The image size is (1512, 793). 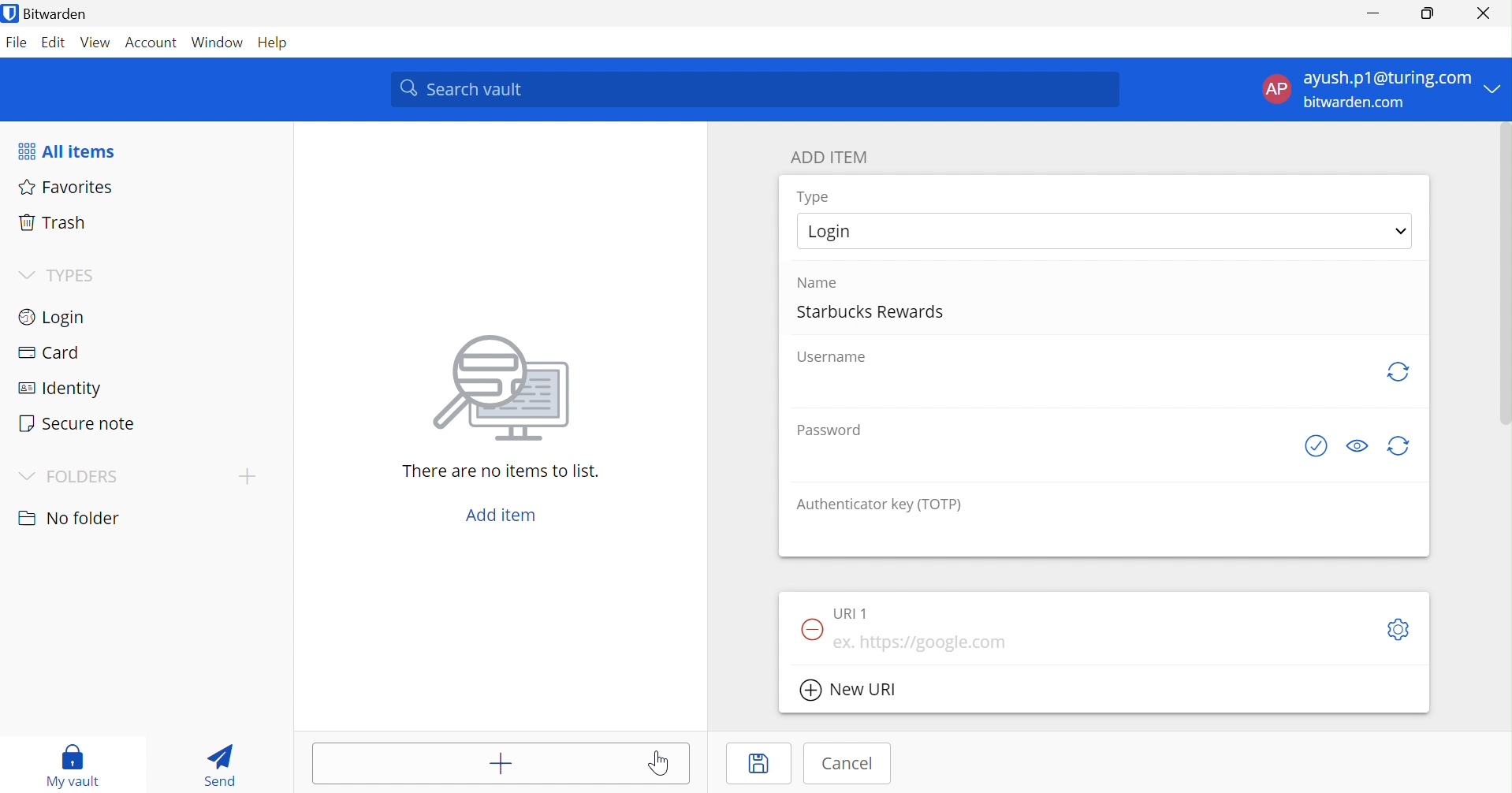 I want to click on Edit, so click(x=55, y=44).